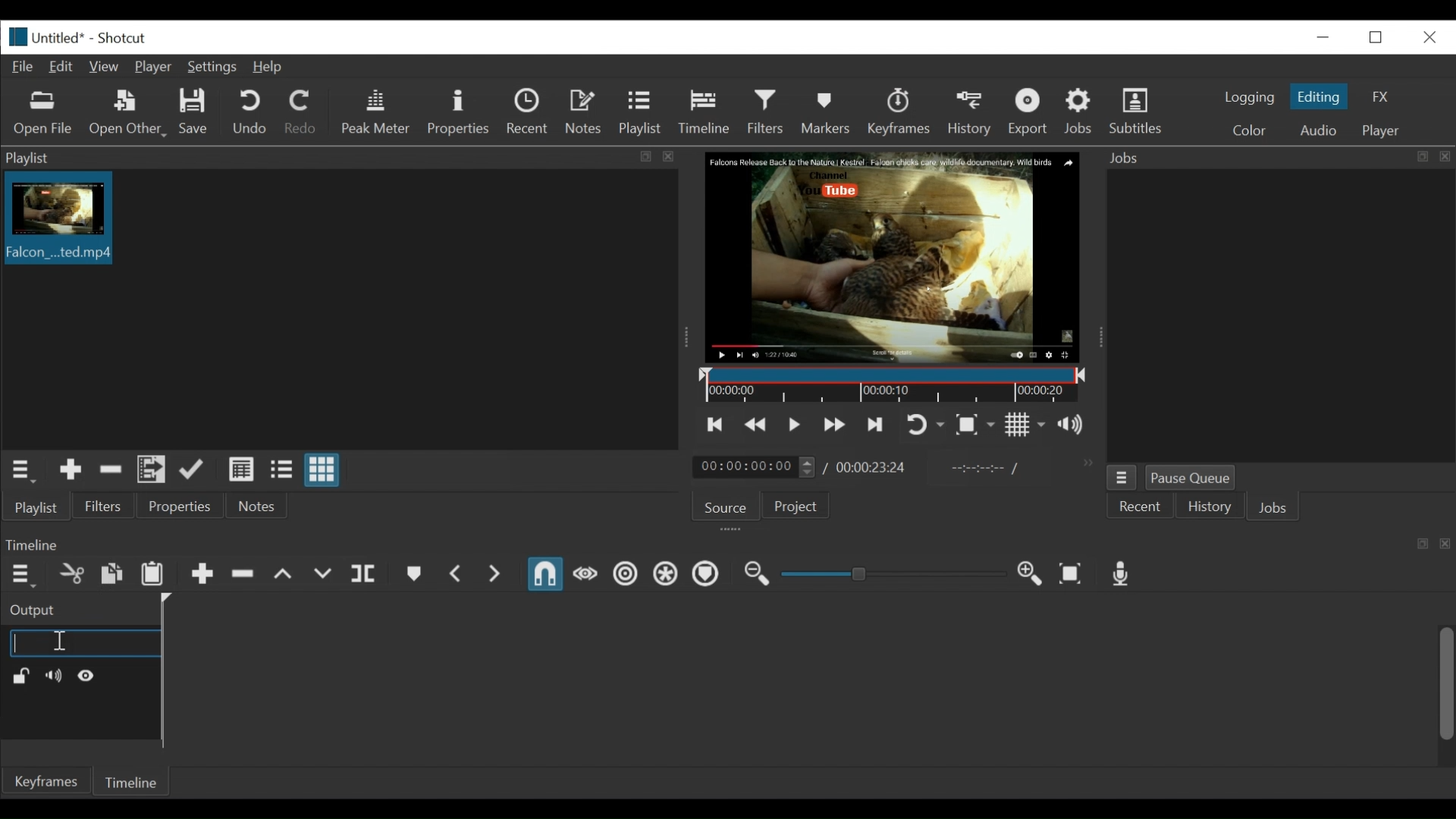 The height and width of the screenshot is (819, 1456). What do you see at coordinates (1433, 692) in the screenshot?
I see `vertical scroll bar` at bounding box center [1433, 692].